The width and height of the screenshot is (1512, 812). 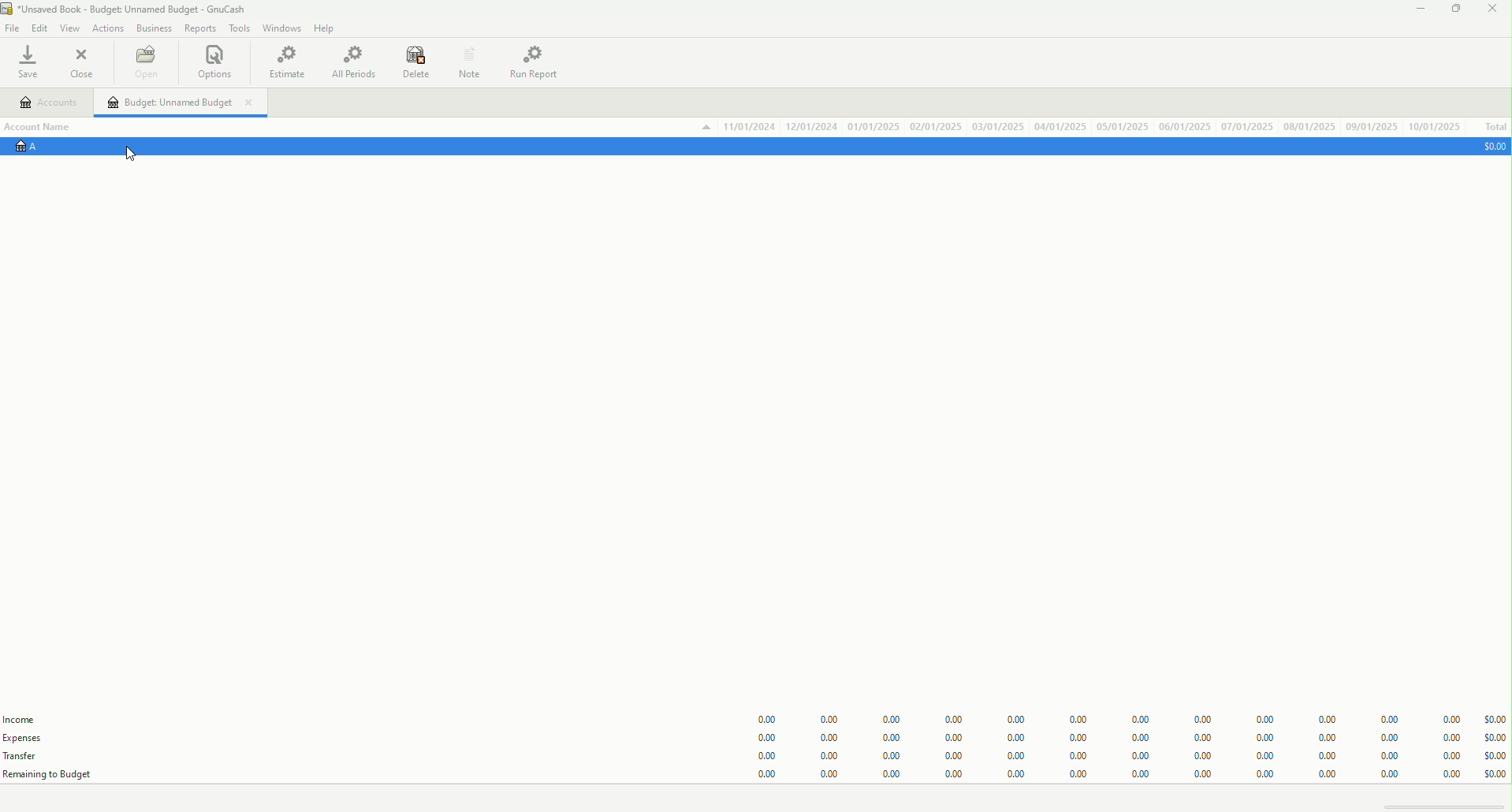 I want to click on File, so click(x=12, y=27).